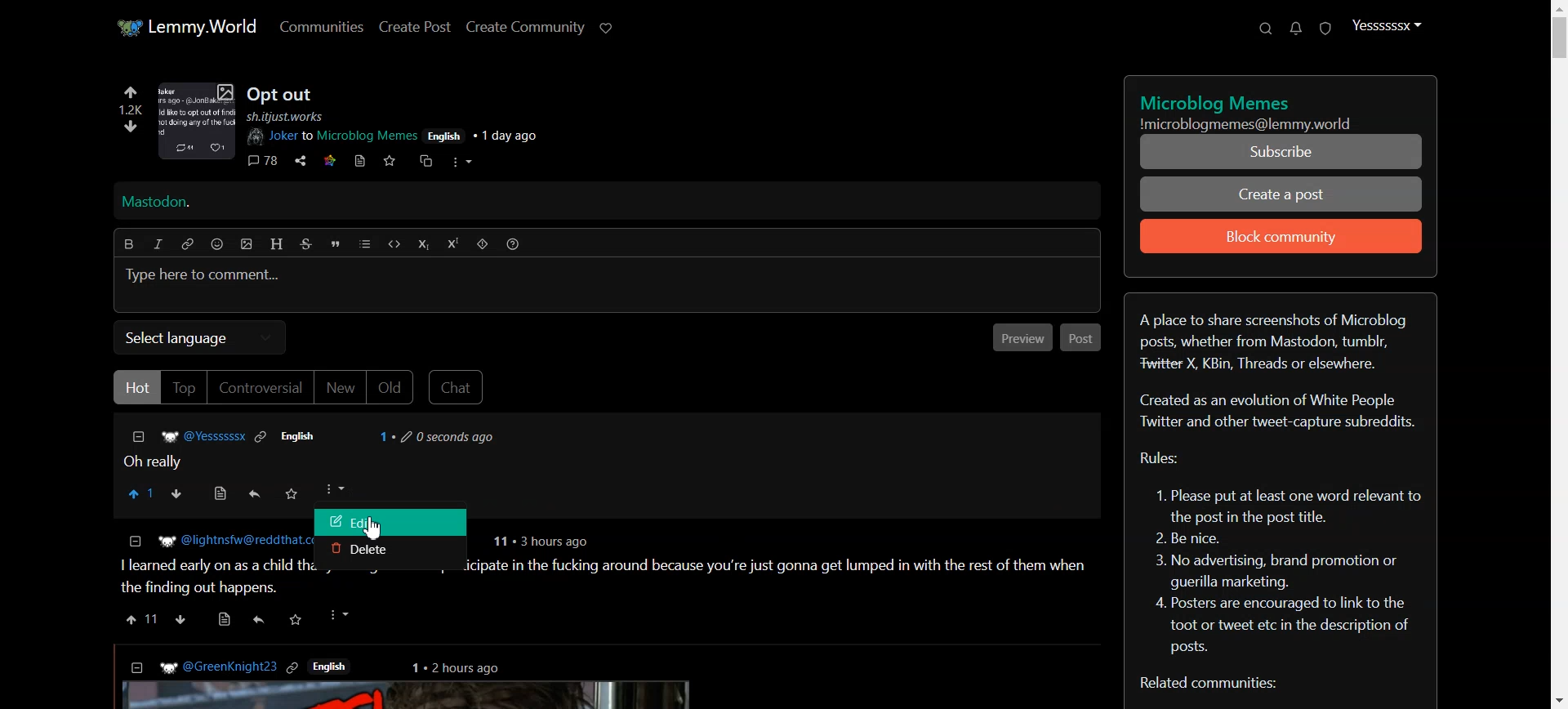 This screenshot has height=709, width=1568. Describe the element at coordinates (186, 25) in the screenshot. I see `Home page` at that location.